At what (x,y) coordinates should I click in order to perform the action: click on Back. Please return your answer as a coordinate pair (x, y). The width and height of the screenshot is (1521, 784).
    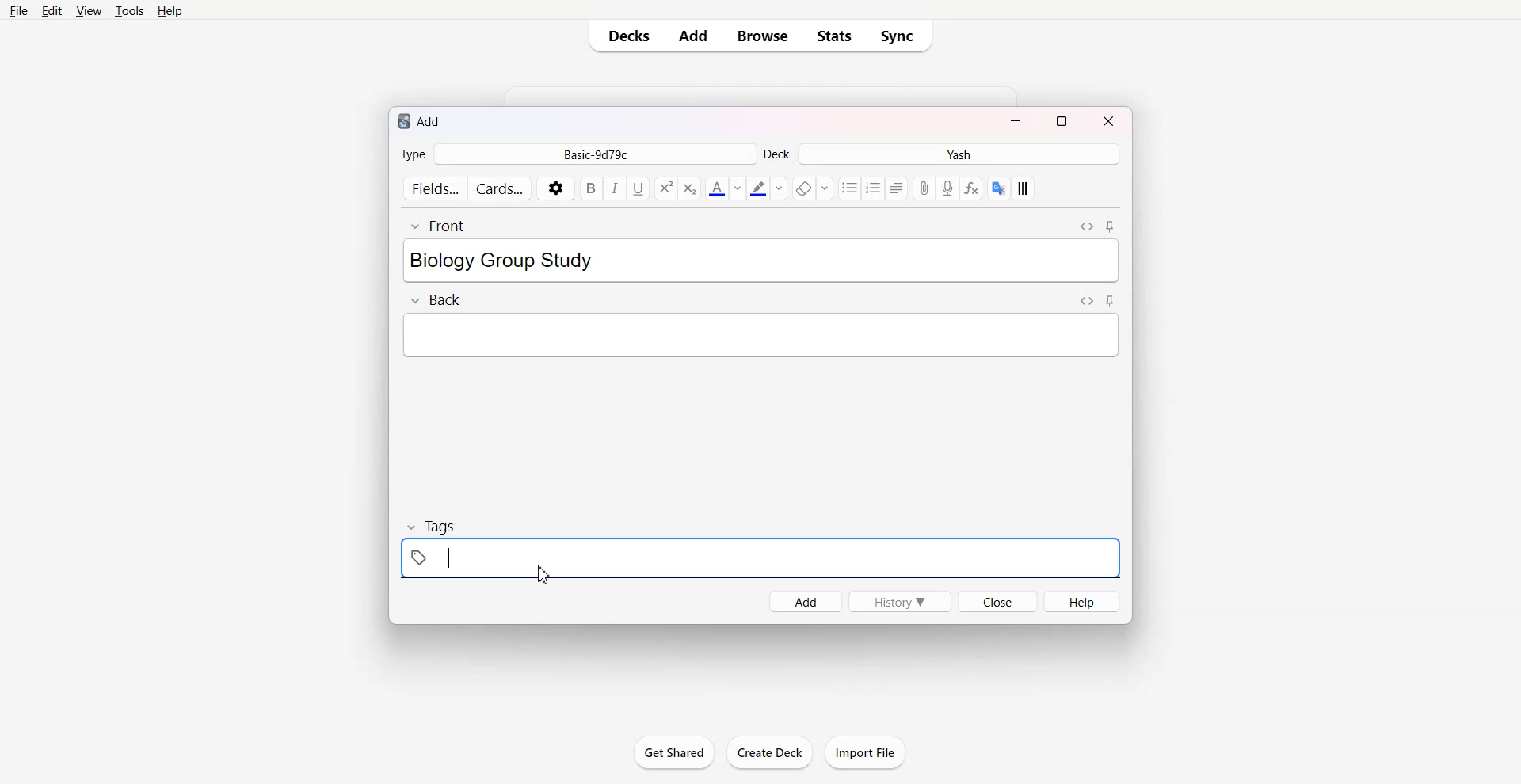
    Looking at the image, I should click on (435, 299).